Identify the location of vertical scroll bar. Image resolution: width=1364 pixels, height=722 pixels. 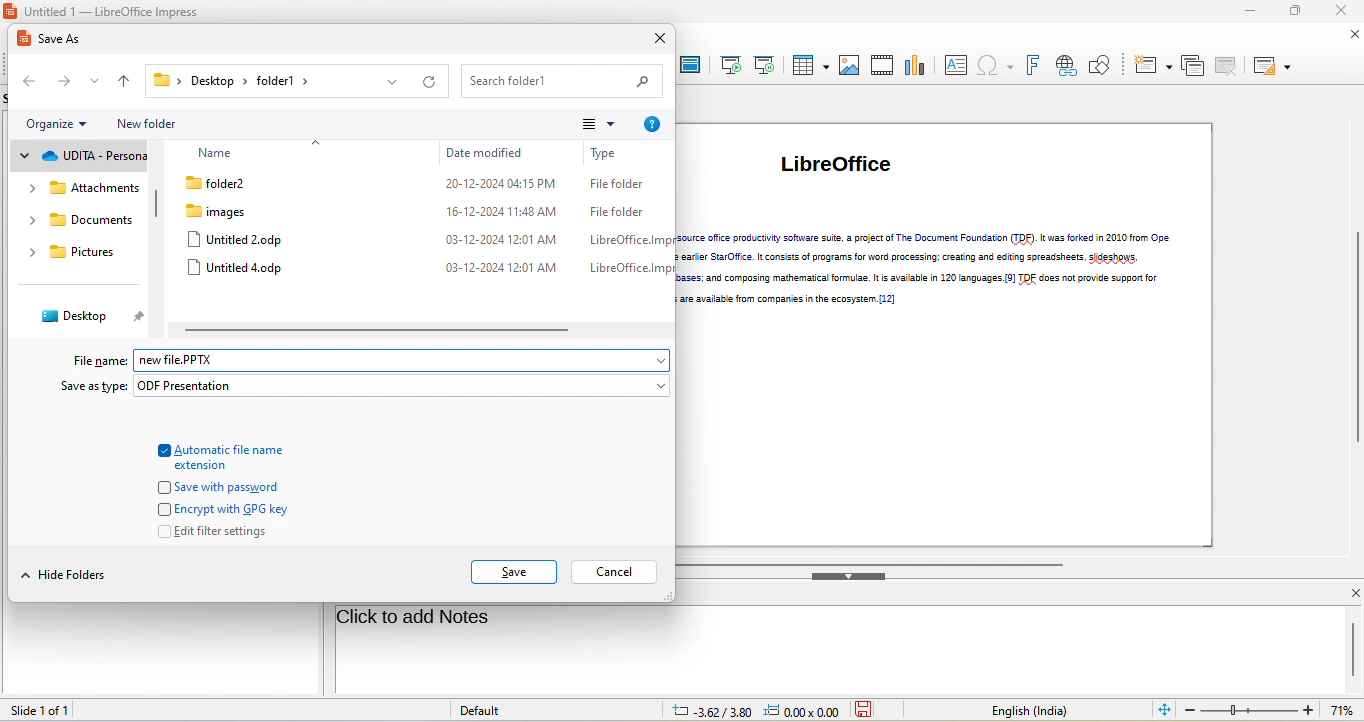
(159, 201).